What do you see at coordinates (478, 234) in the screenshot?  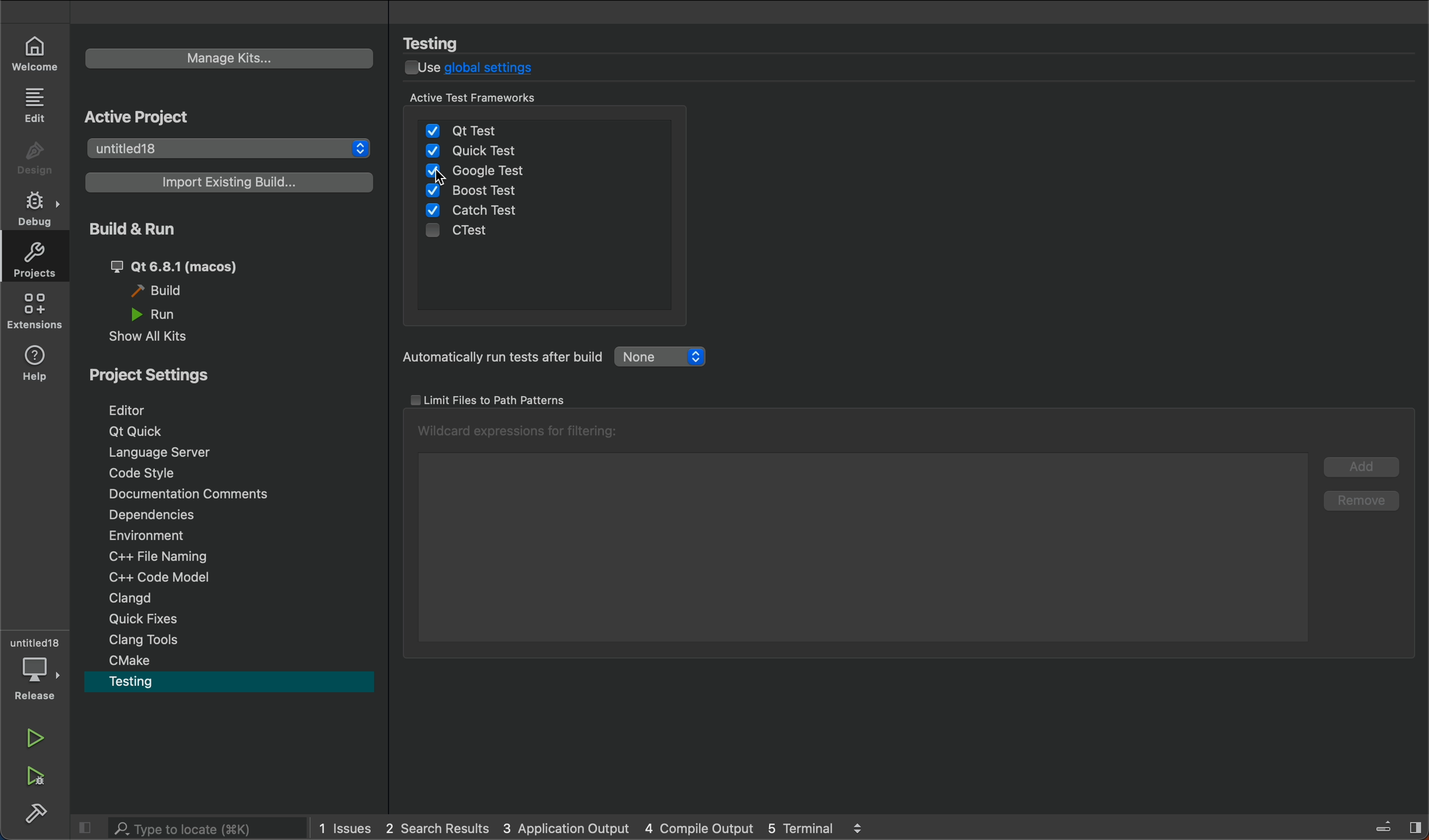 I see `ctest` at bounding box center [478, 234].